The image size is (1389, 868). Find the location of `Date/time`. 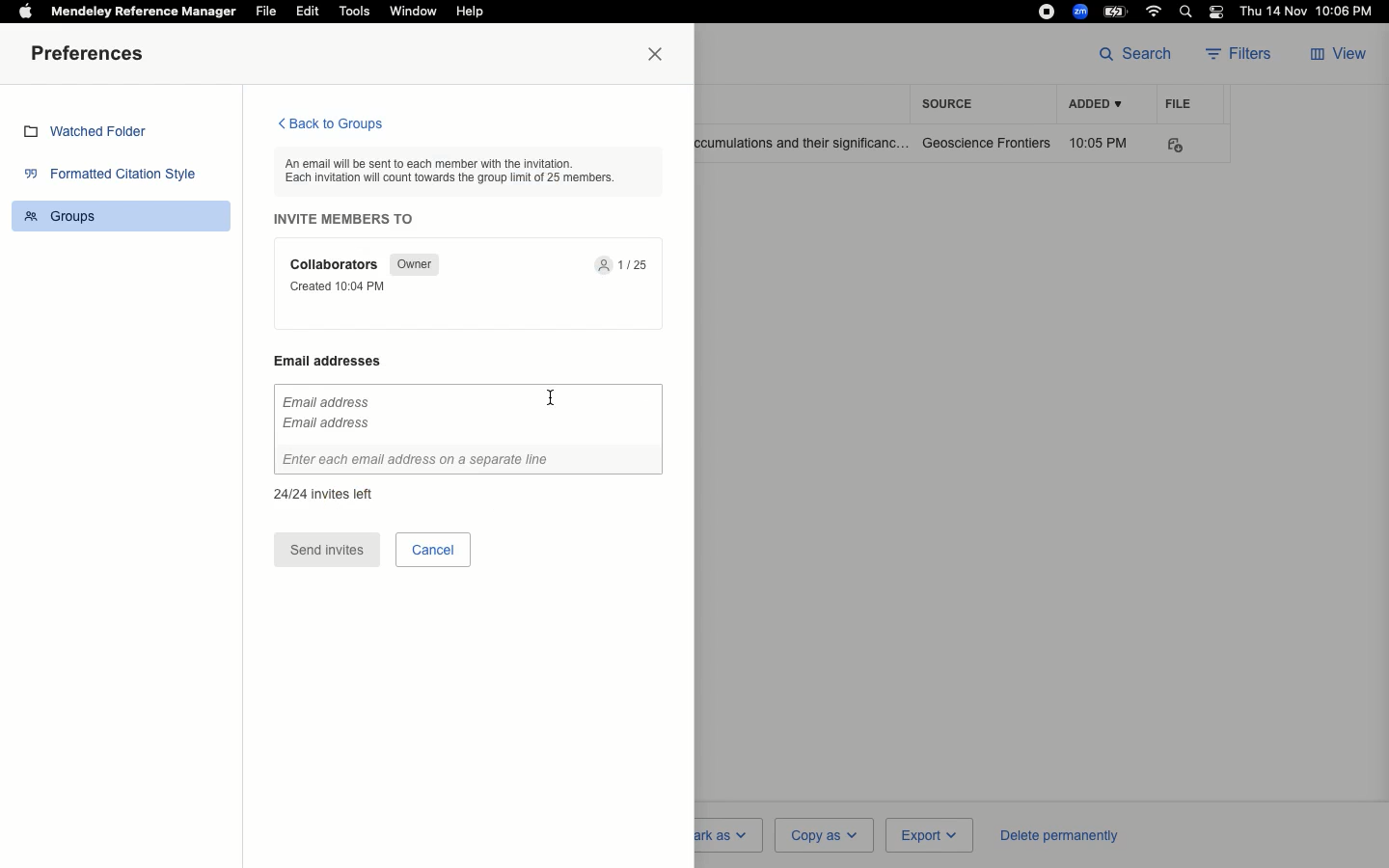

Date/time is located at coordinates (1311, 12).